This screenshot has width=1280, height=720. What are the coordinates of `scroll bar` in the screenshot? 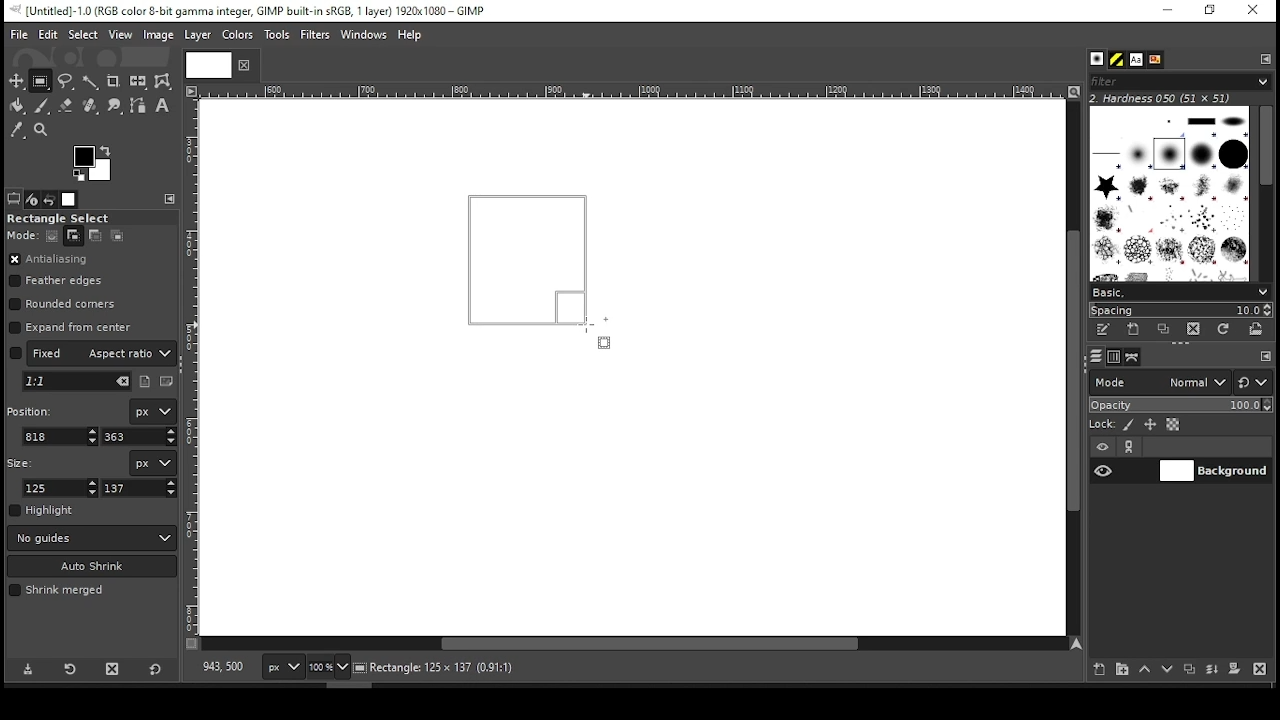 It's located at (1265, 192).